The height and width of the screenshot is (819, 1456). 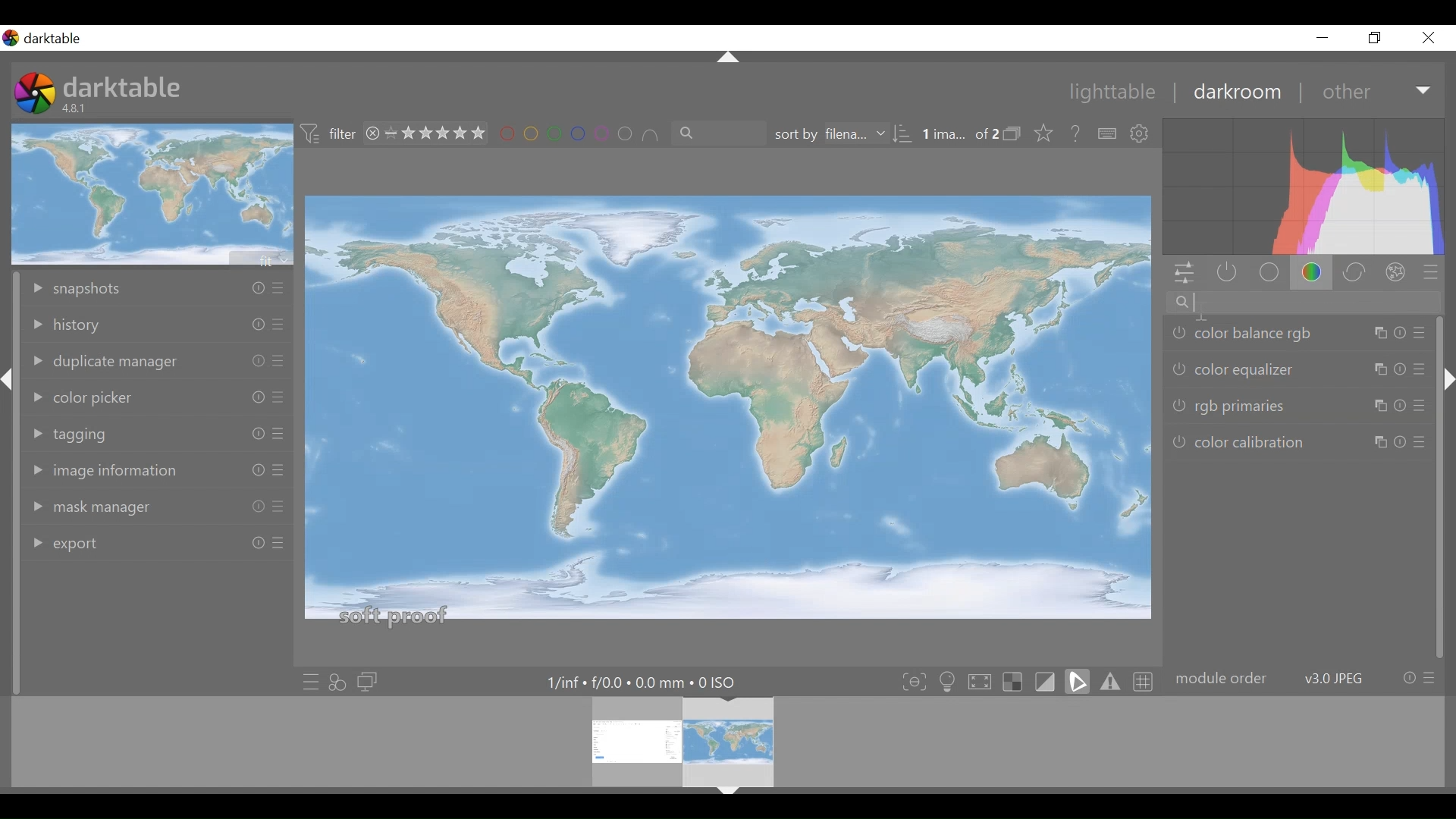 What do you see at coordinates (276, 327) in the screenshot?
I see `` at bounding box center [276, 327].